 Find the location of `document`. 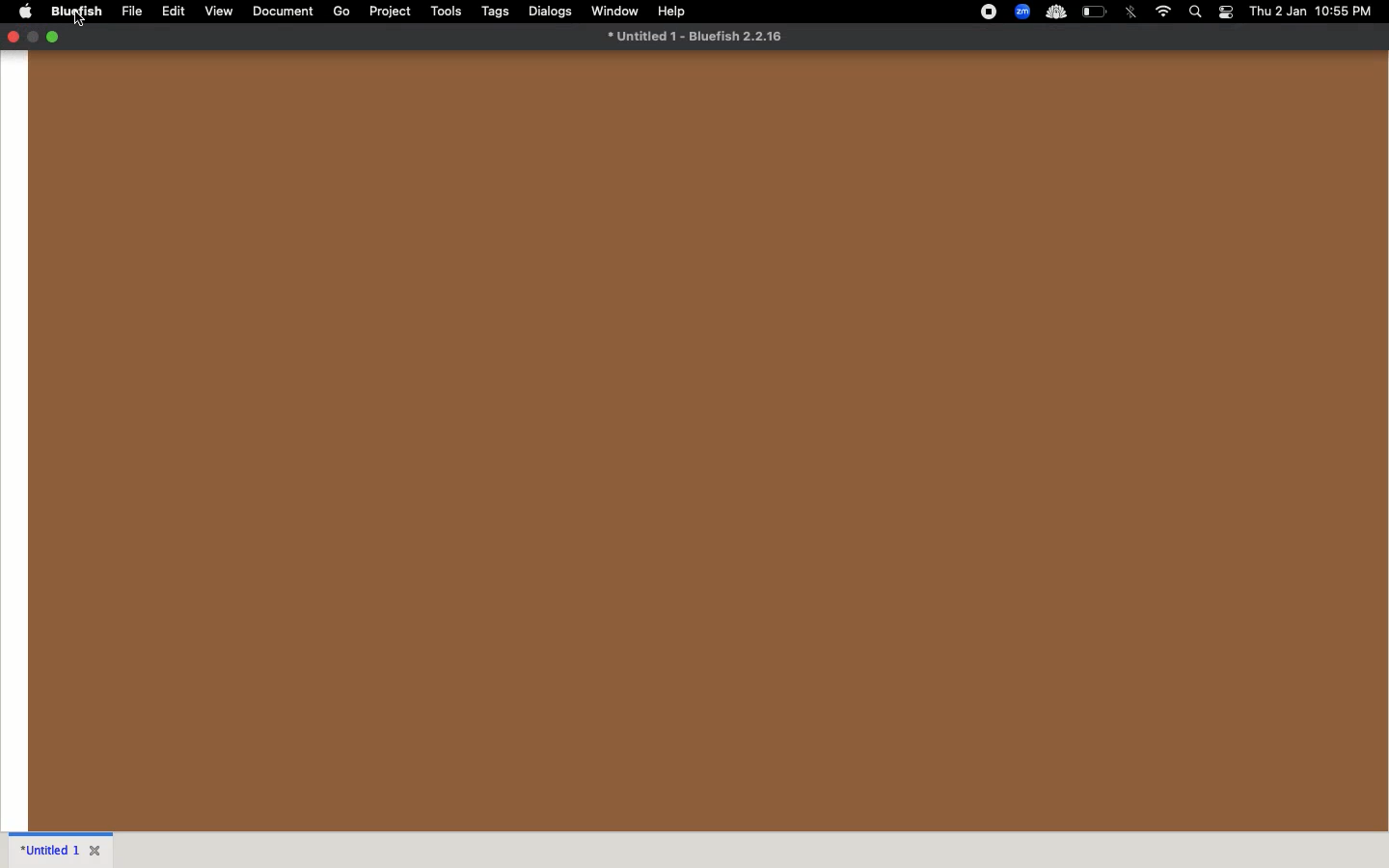

document is located at coordinates (282, 10).